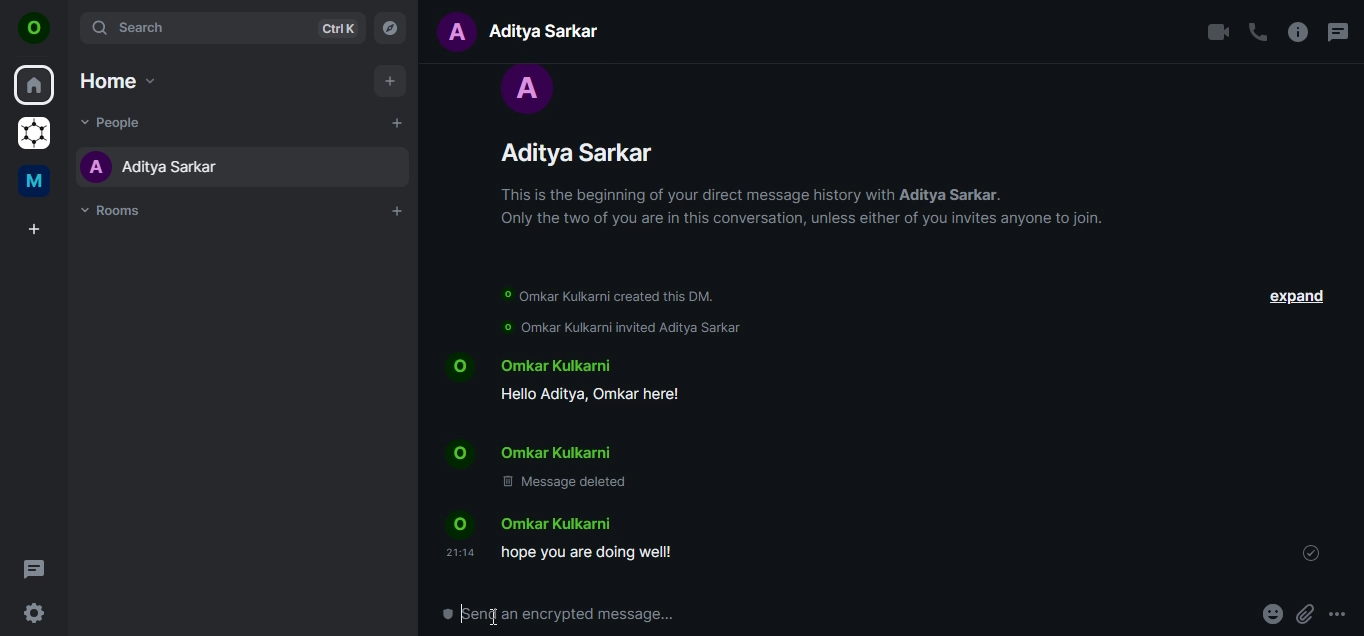  I want to click on text box, so click(604, 615).